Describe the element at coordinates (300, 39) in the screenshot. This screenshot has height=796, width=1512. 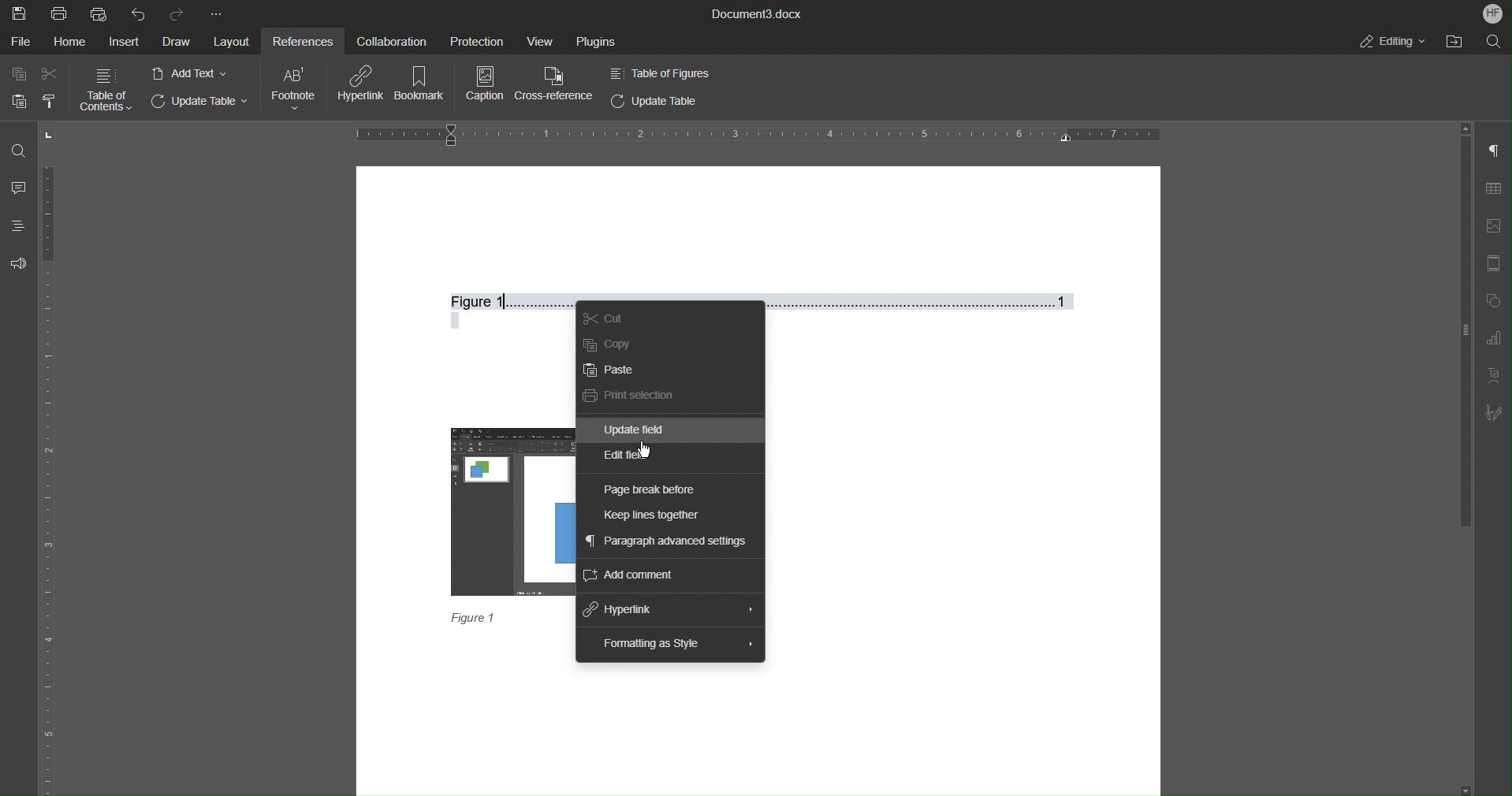
I see `References` at that location.